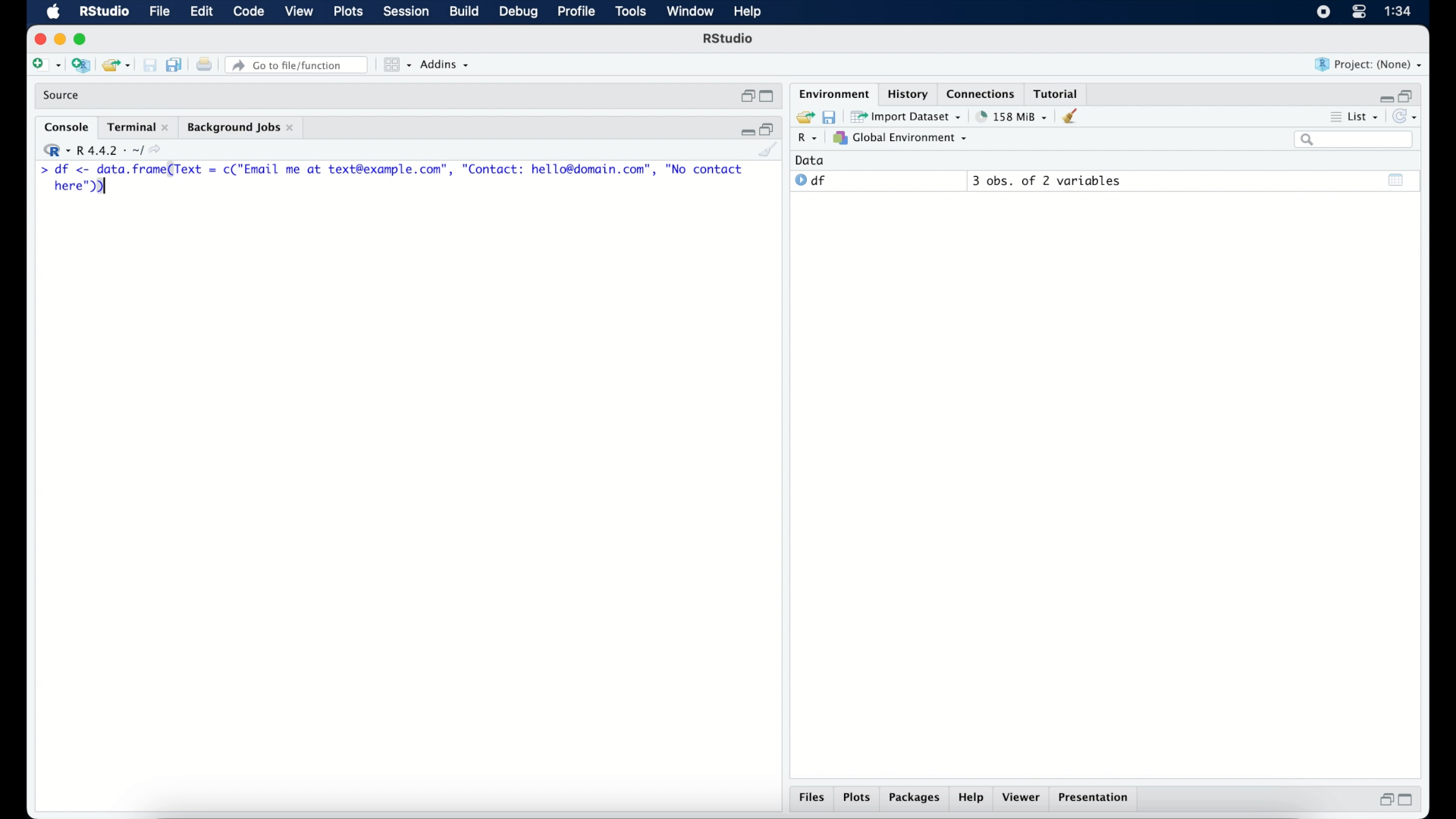 The height and width of the screenshot is (819, 1456). I want to click on project (none), so click(1370, 65).